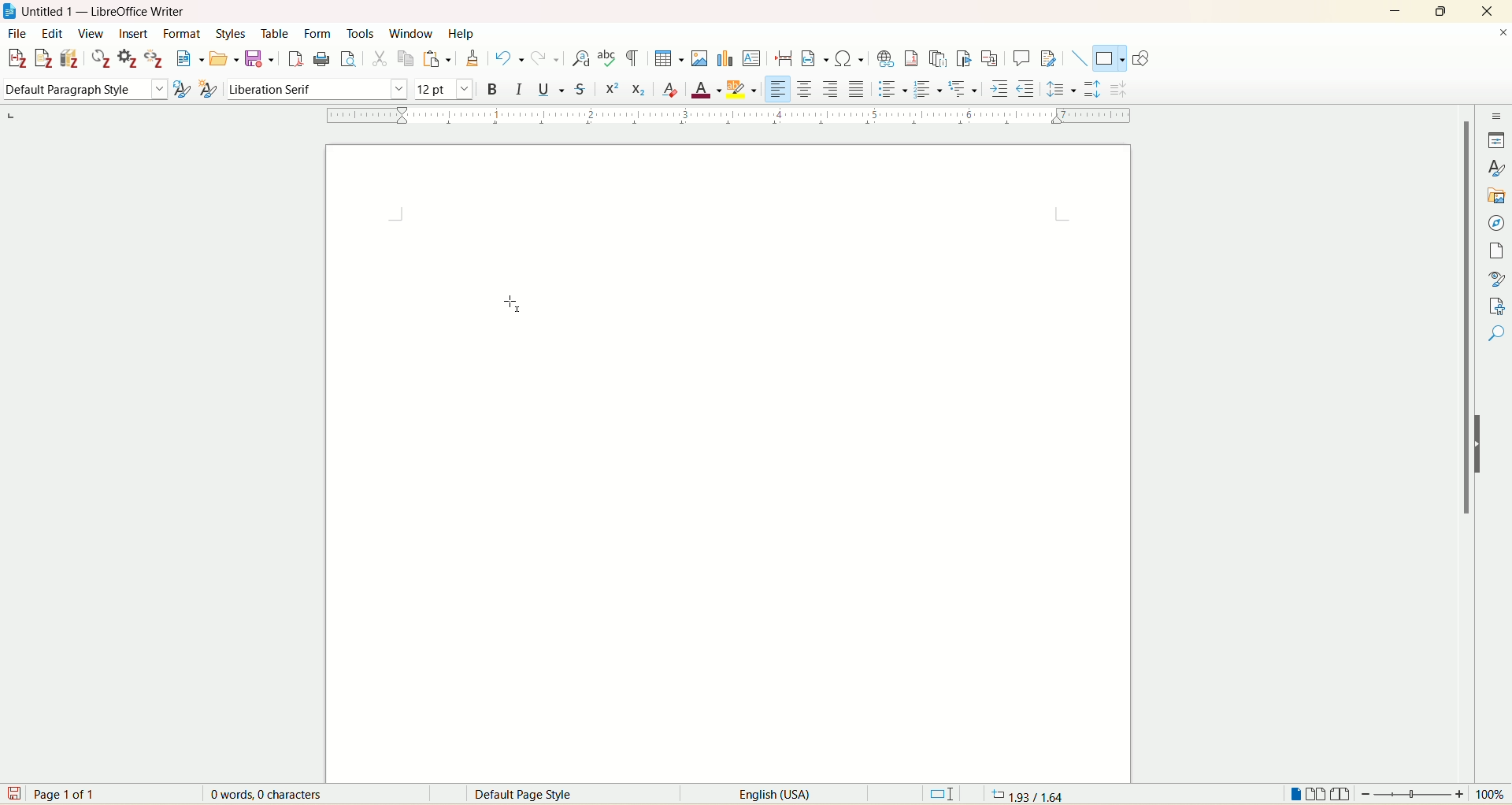 The image size is (1512, 805). I want to click on toggle ordered list, so click(927, 87).